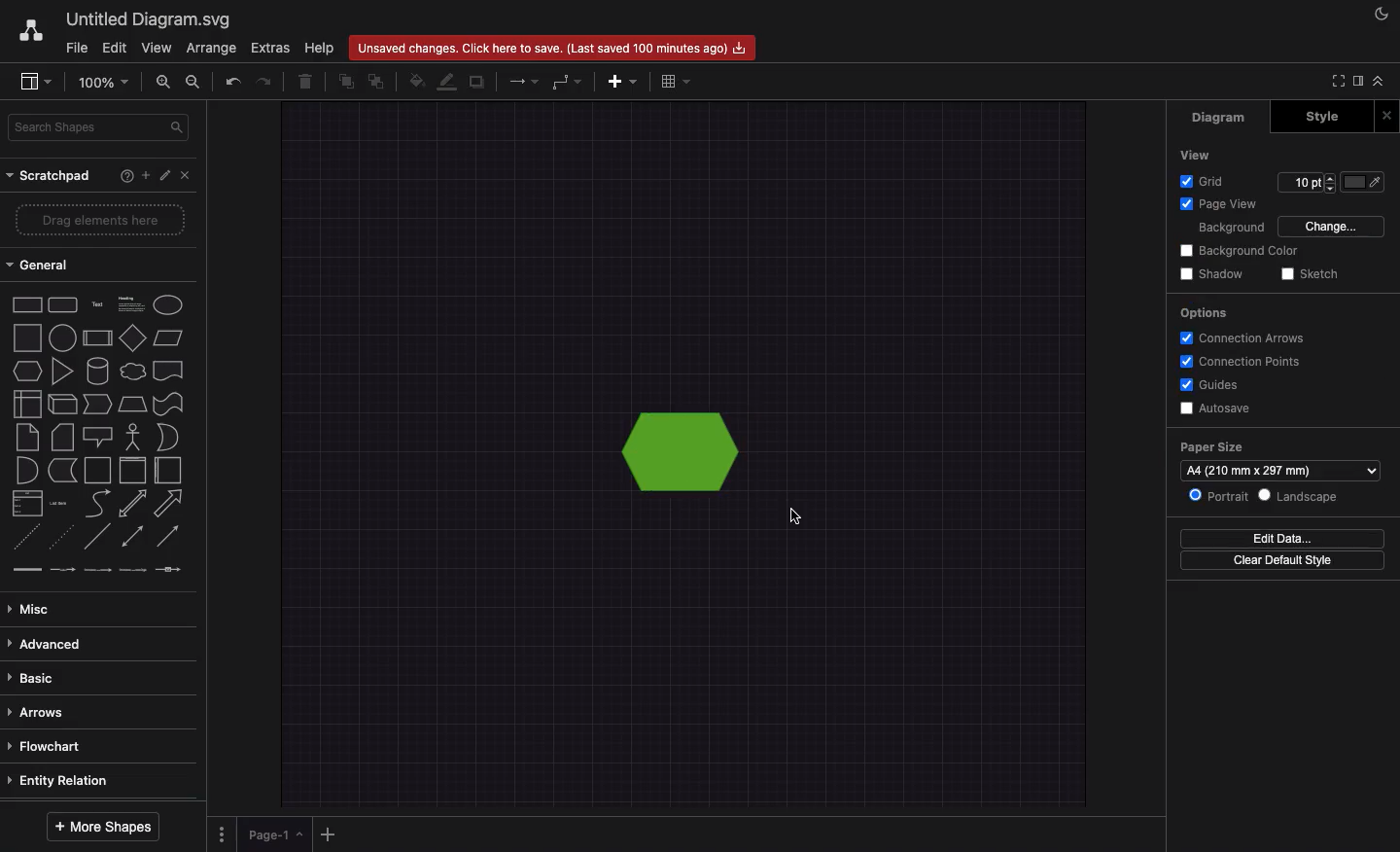  I want to click on Help, so click(126, 175).